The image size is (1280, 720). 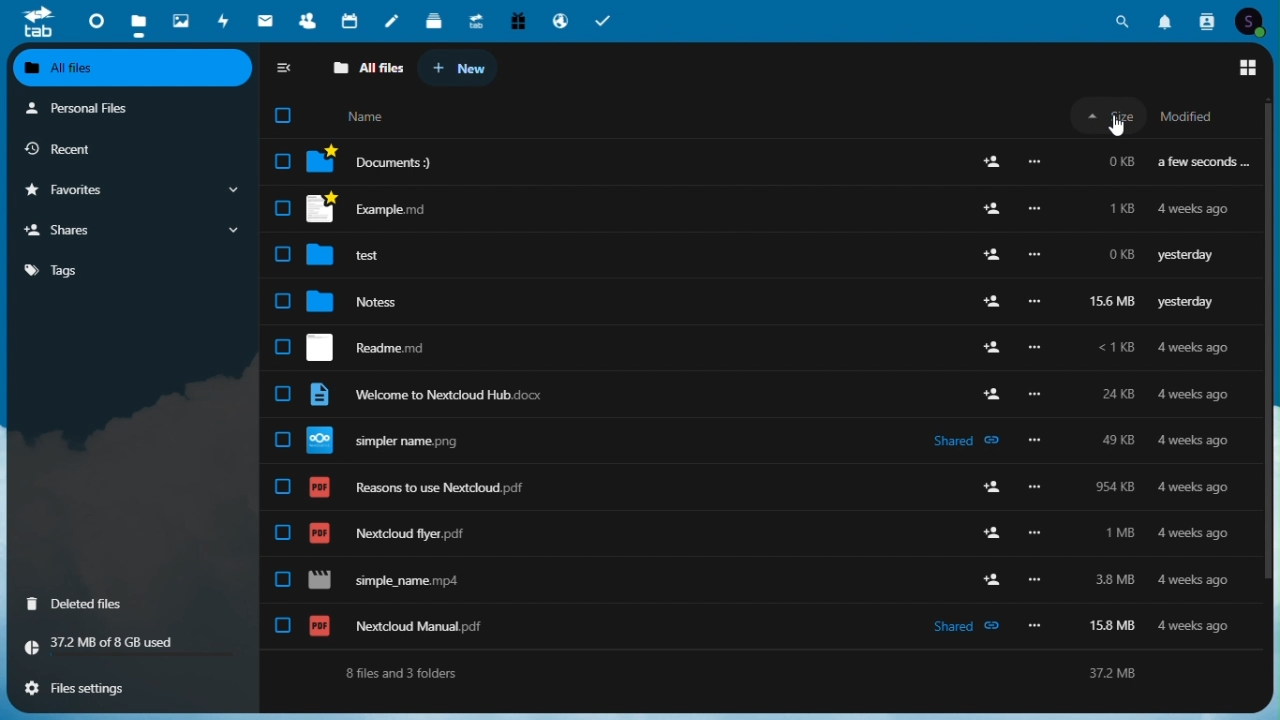 I want to click on simple_name. mp4, so click(x=746, y=582).